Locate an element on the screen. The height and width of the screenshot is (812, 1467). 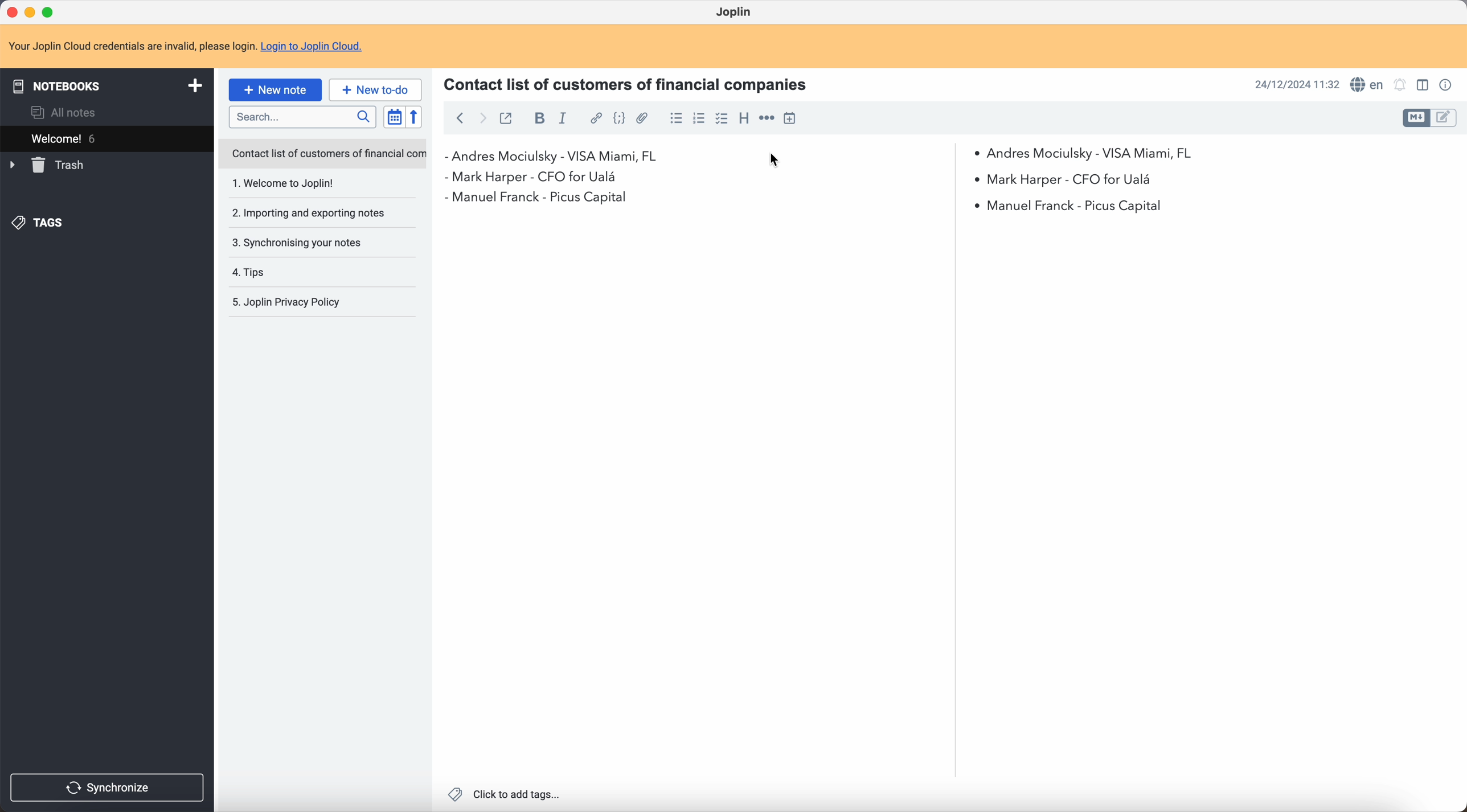
attach file is located at coordinates (643, 118).